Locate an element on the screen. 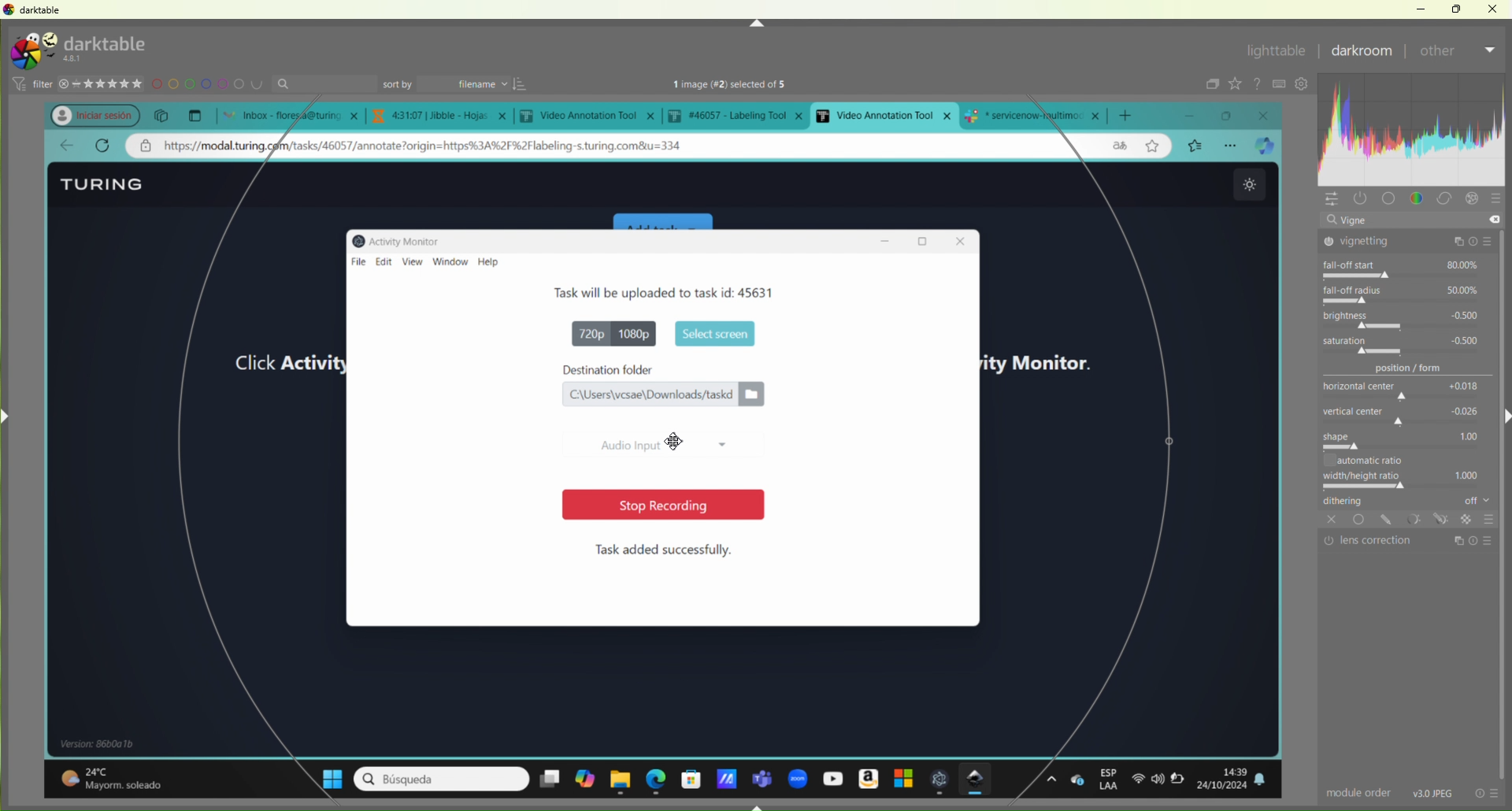  amazon is located at coordinates (866, 777).